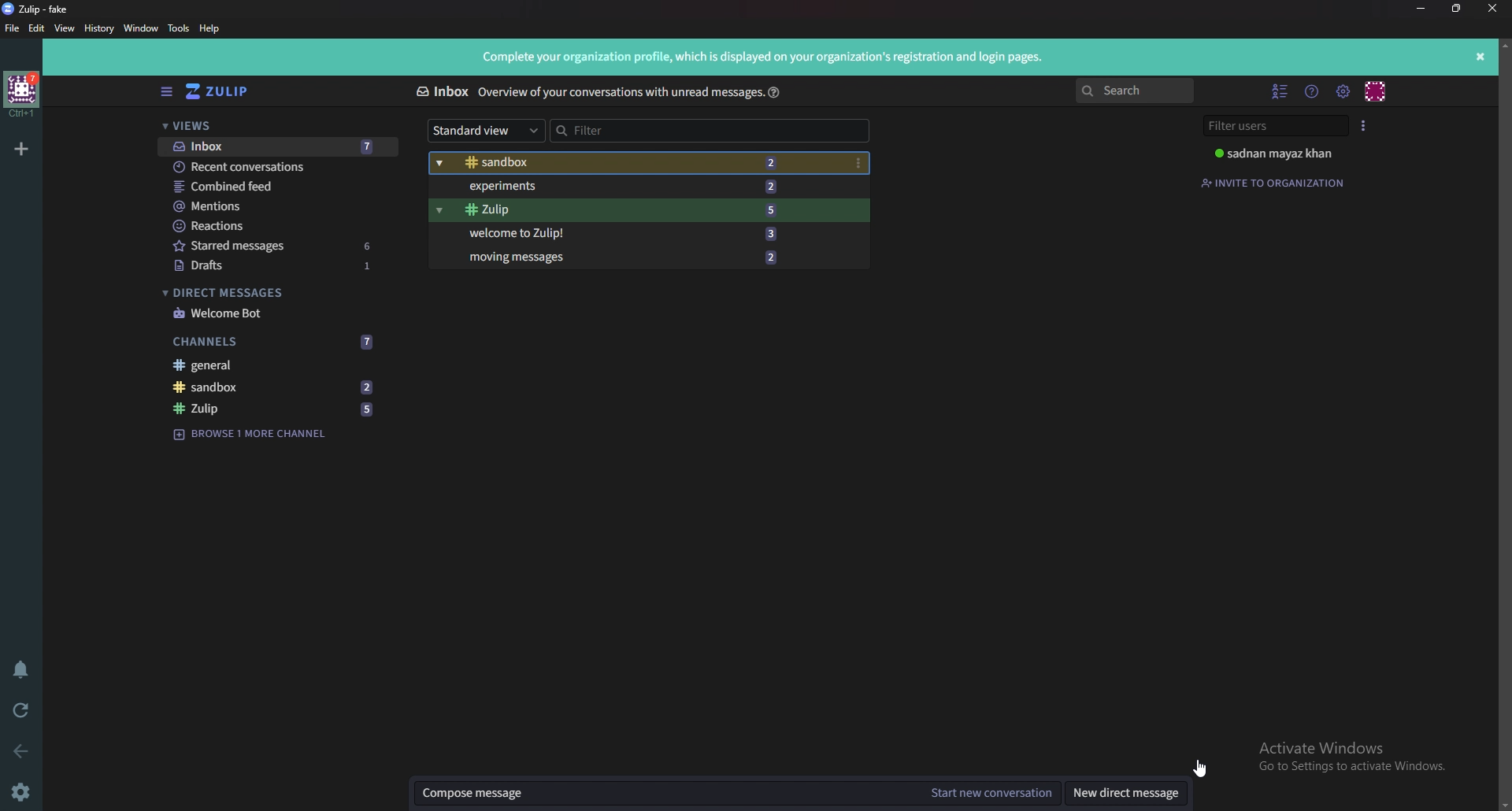  I want to click on History, so click(100, 28).